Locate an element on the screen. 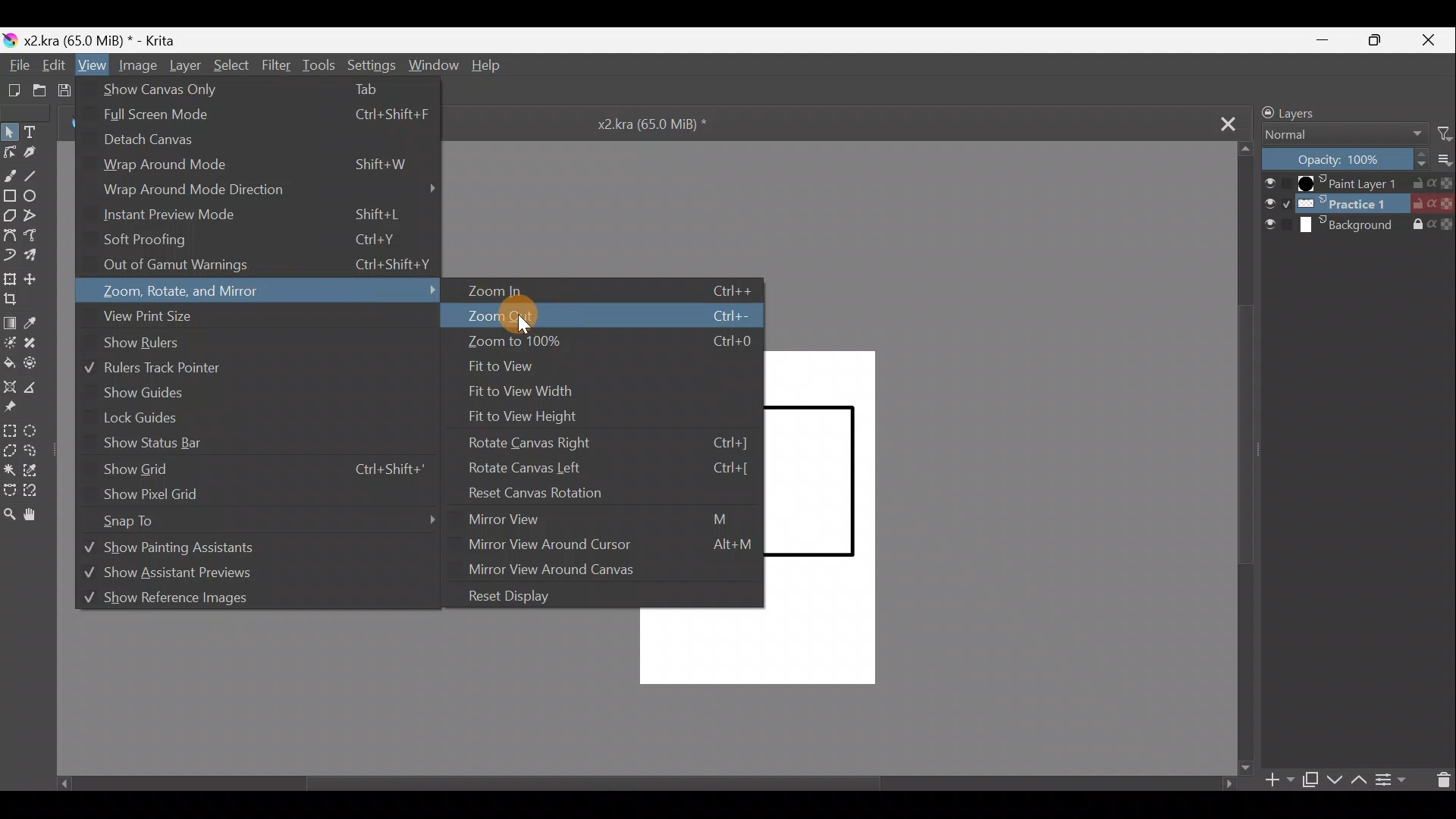 The height and width of the screenshot is (819, 1456). Mirror view is located at coordinates (610, 519).